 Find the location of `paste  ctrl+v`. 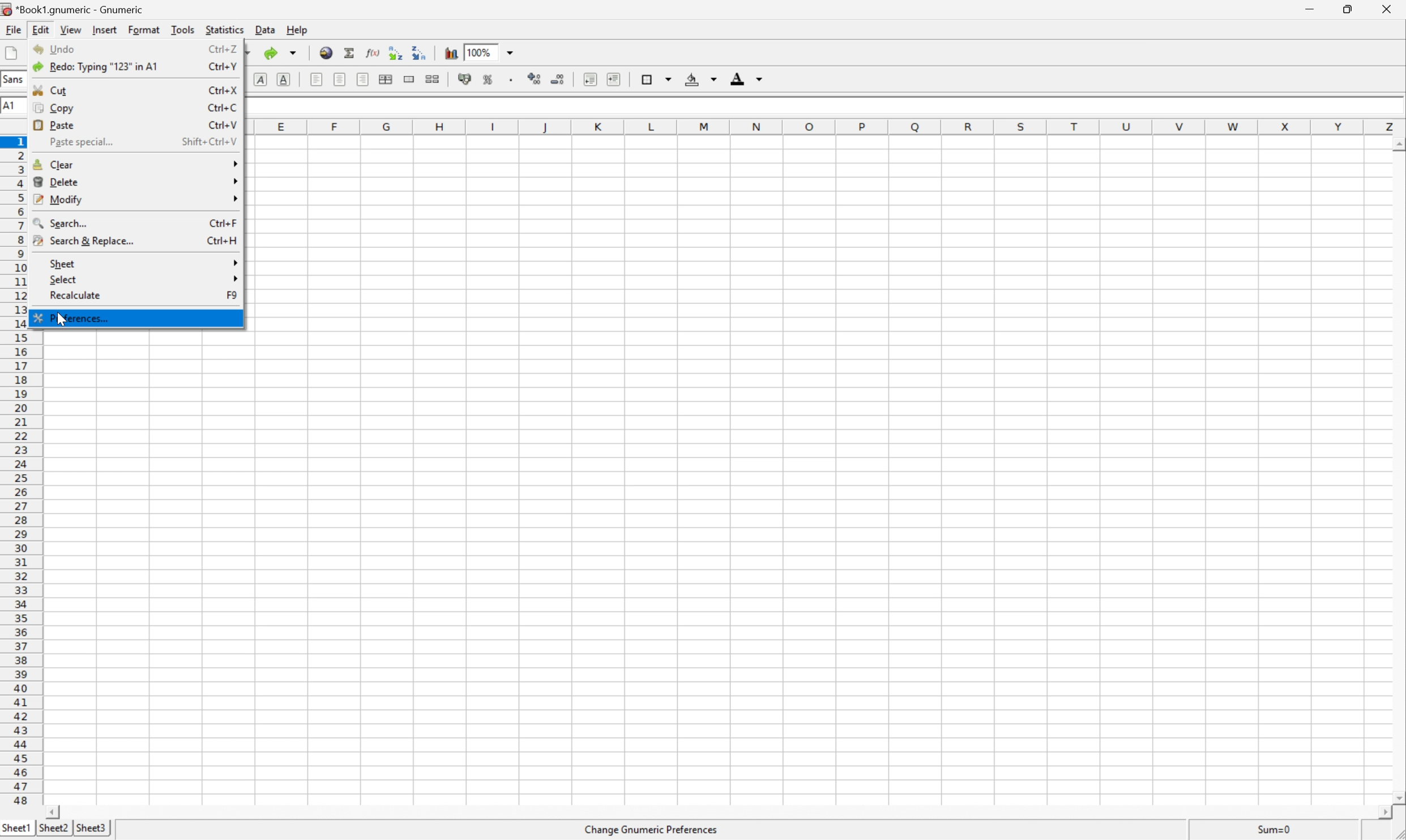

paste  ctrl+v is located at coordinates (133, 124).